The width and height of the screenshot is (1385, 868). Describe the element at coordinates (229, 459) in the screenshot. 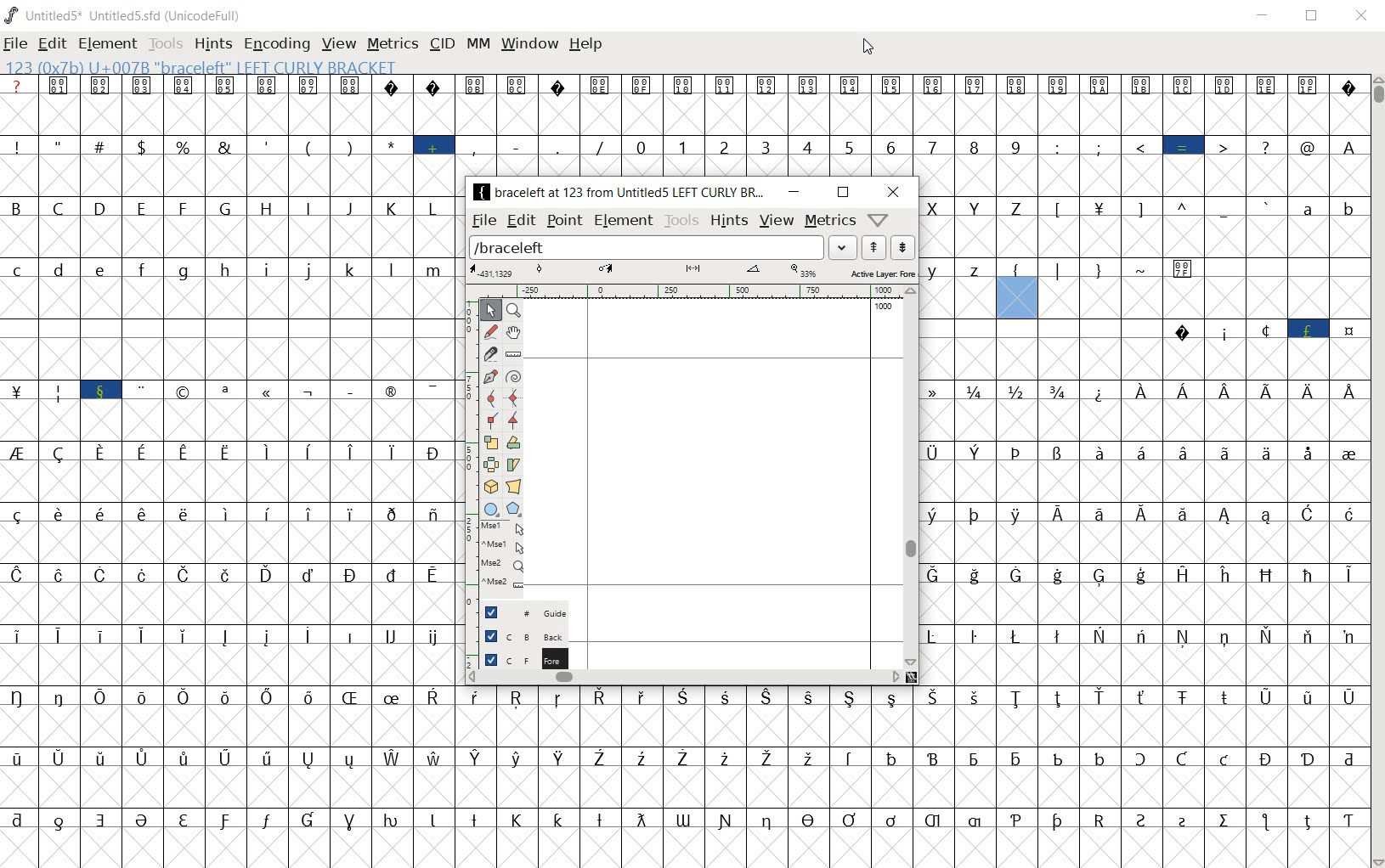

I see `glyphs` at that location.